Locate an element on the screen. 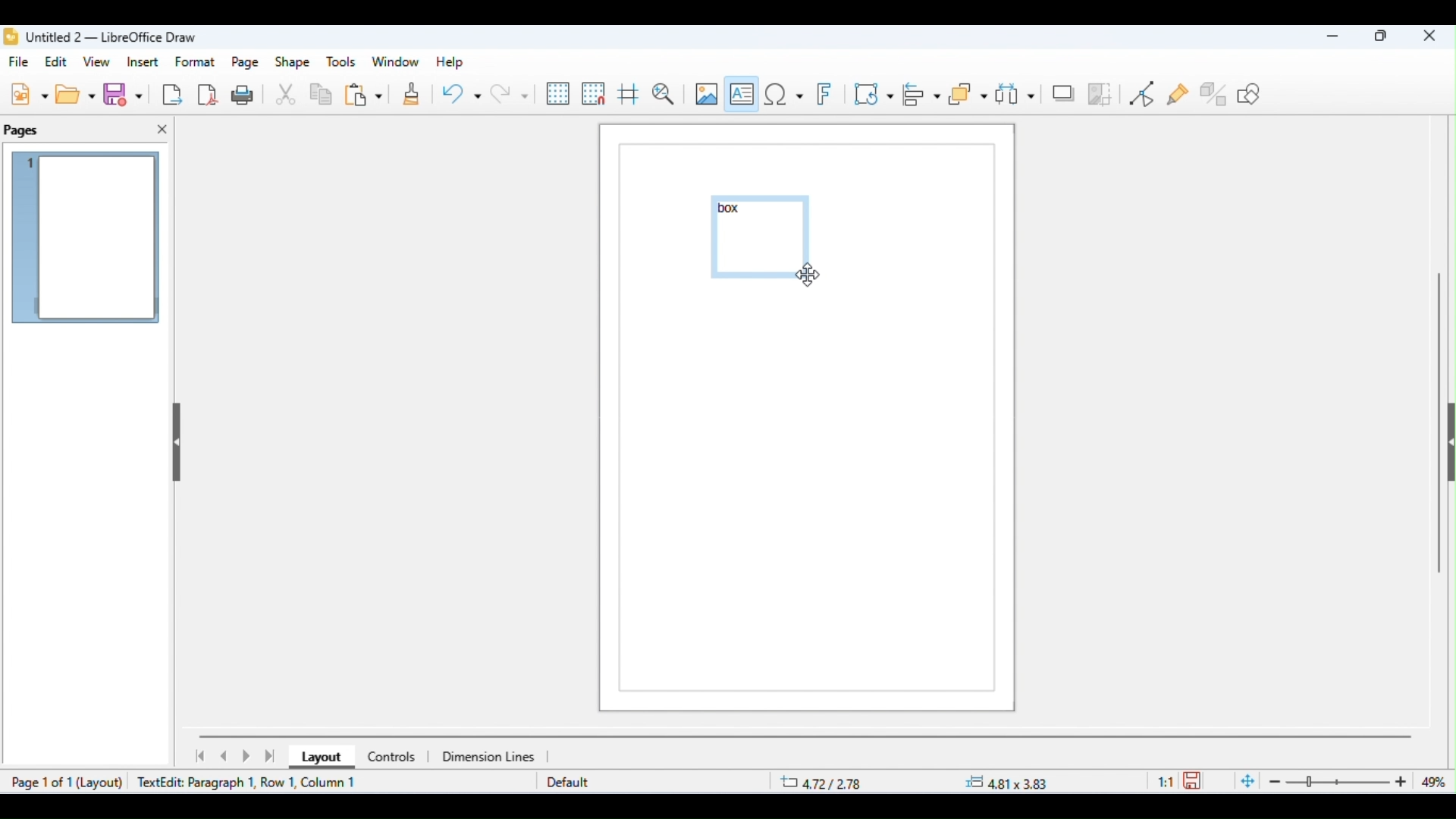  controls is located at coordinates (391, 757).